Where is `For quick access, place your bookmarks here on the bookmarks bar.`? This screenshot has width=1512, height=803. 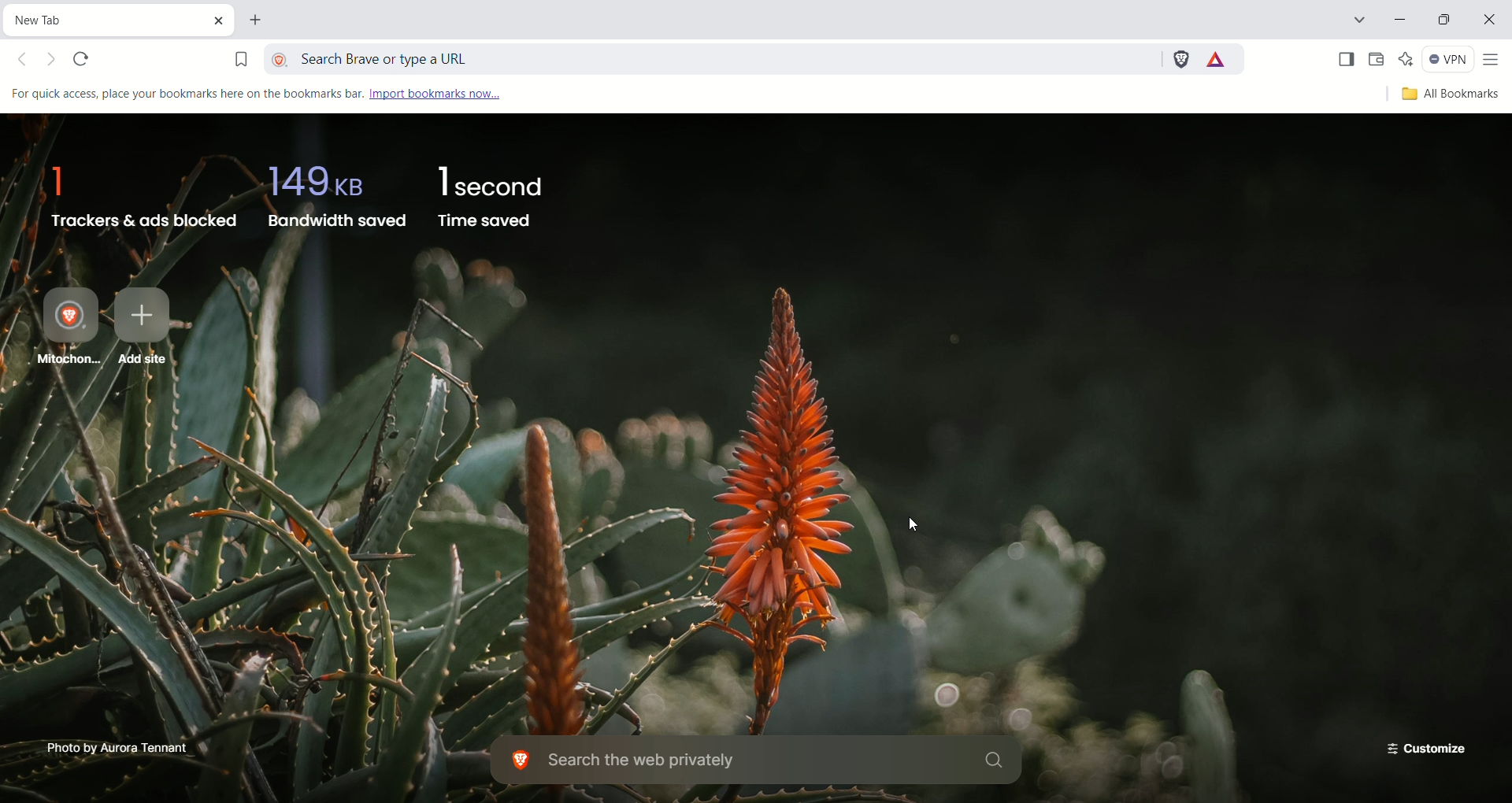 For quick access, place your bookmarks here on the bookmarks bar. is located at coordinates (185, 92).